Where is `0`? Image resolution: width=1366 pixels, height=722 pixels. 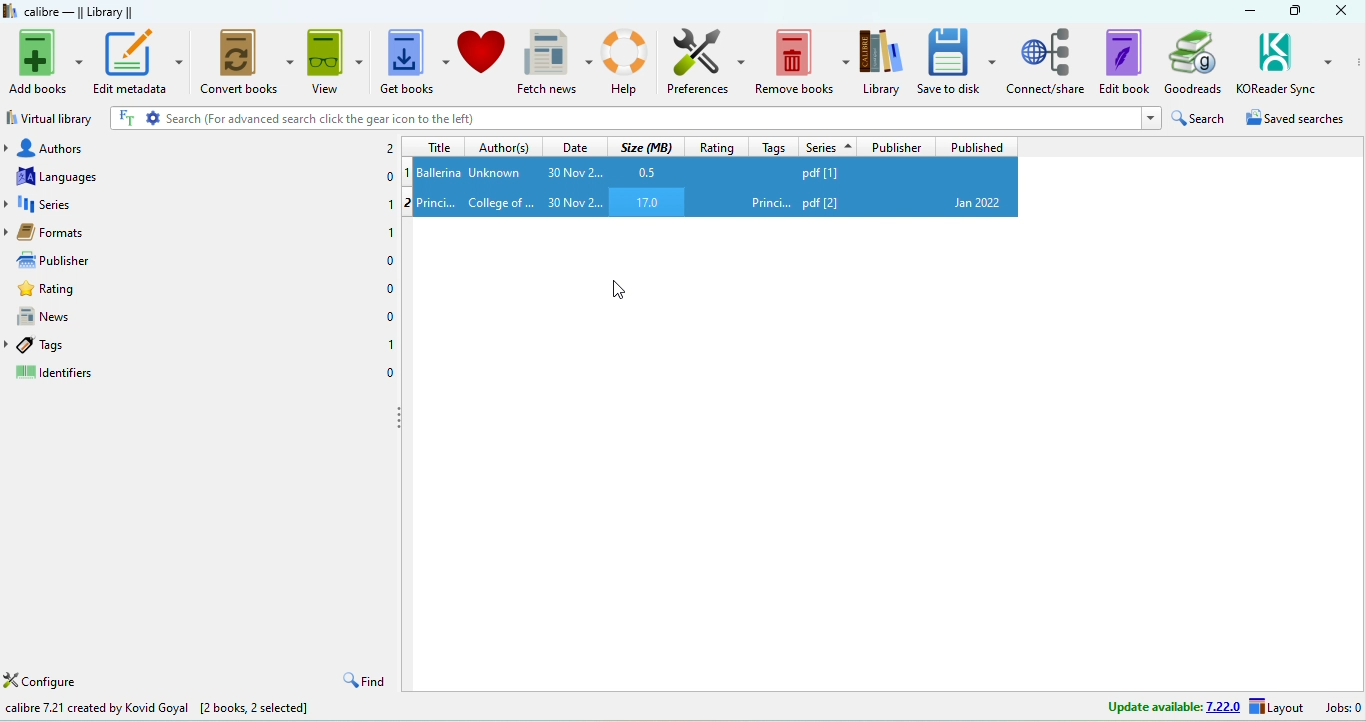 0 is located at coordinates (388, 289).